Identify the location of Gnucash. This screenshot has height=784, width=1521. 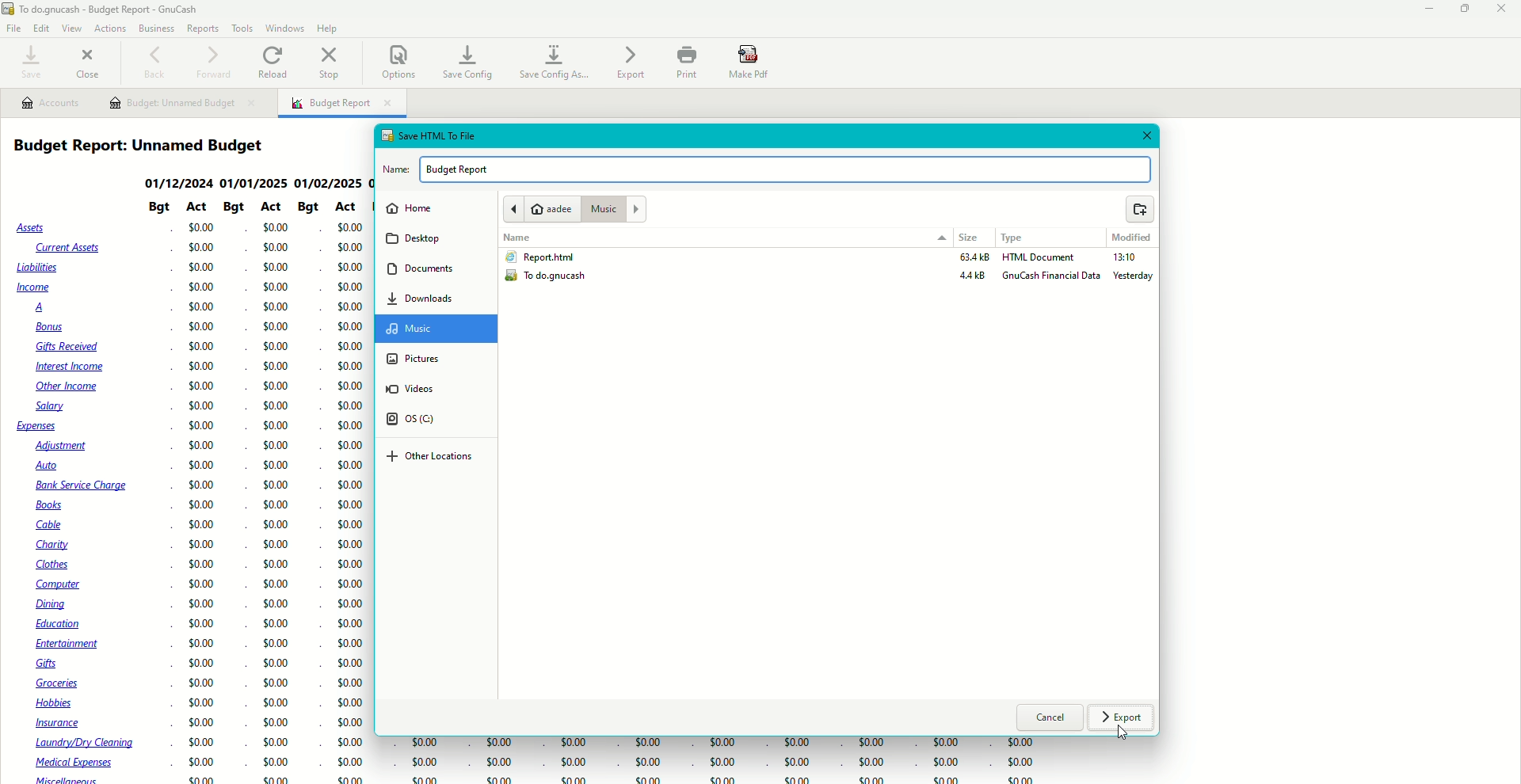
(1052, 278).